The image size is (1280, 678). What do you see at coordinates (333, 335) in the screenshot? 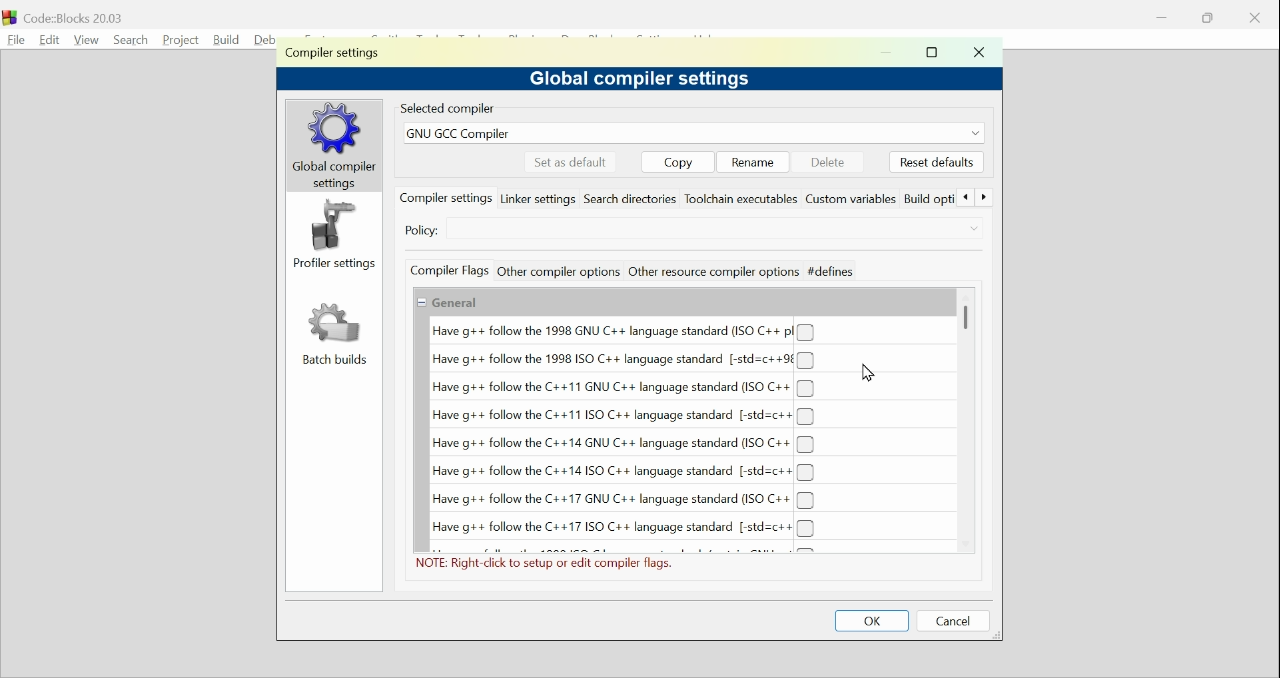
I see `Batch build` at bounding box center [333, 335].